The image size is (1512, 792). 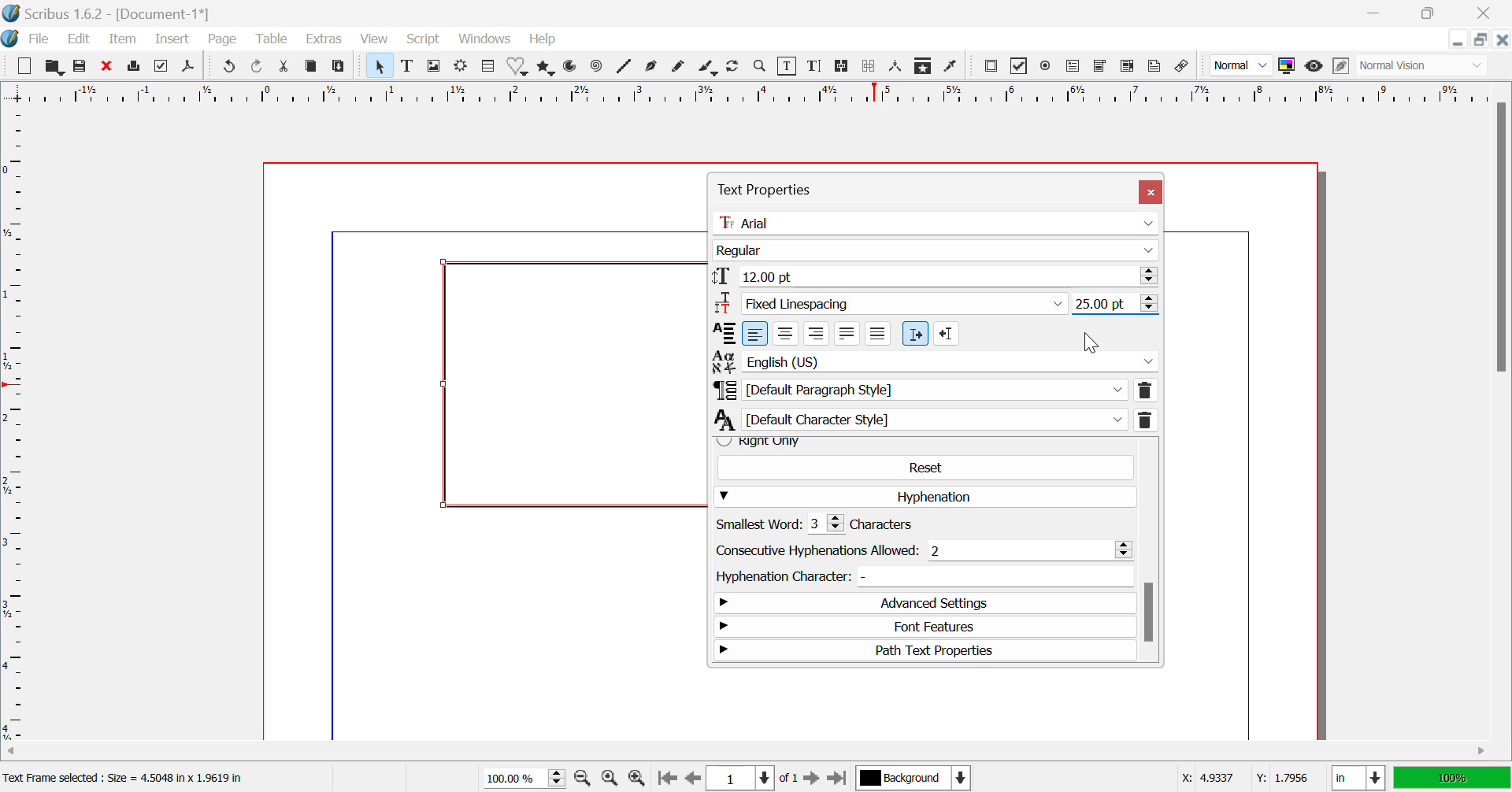 What do you see at coordinates (755, 334) in the screenshot?
I see `left align` at bounding box center [755, 334].